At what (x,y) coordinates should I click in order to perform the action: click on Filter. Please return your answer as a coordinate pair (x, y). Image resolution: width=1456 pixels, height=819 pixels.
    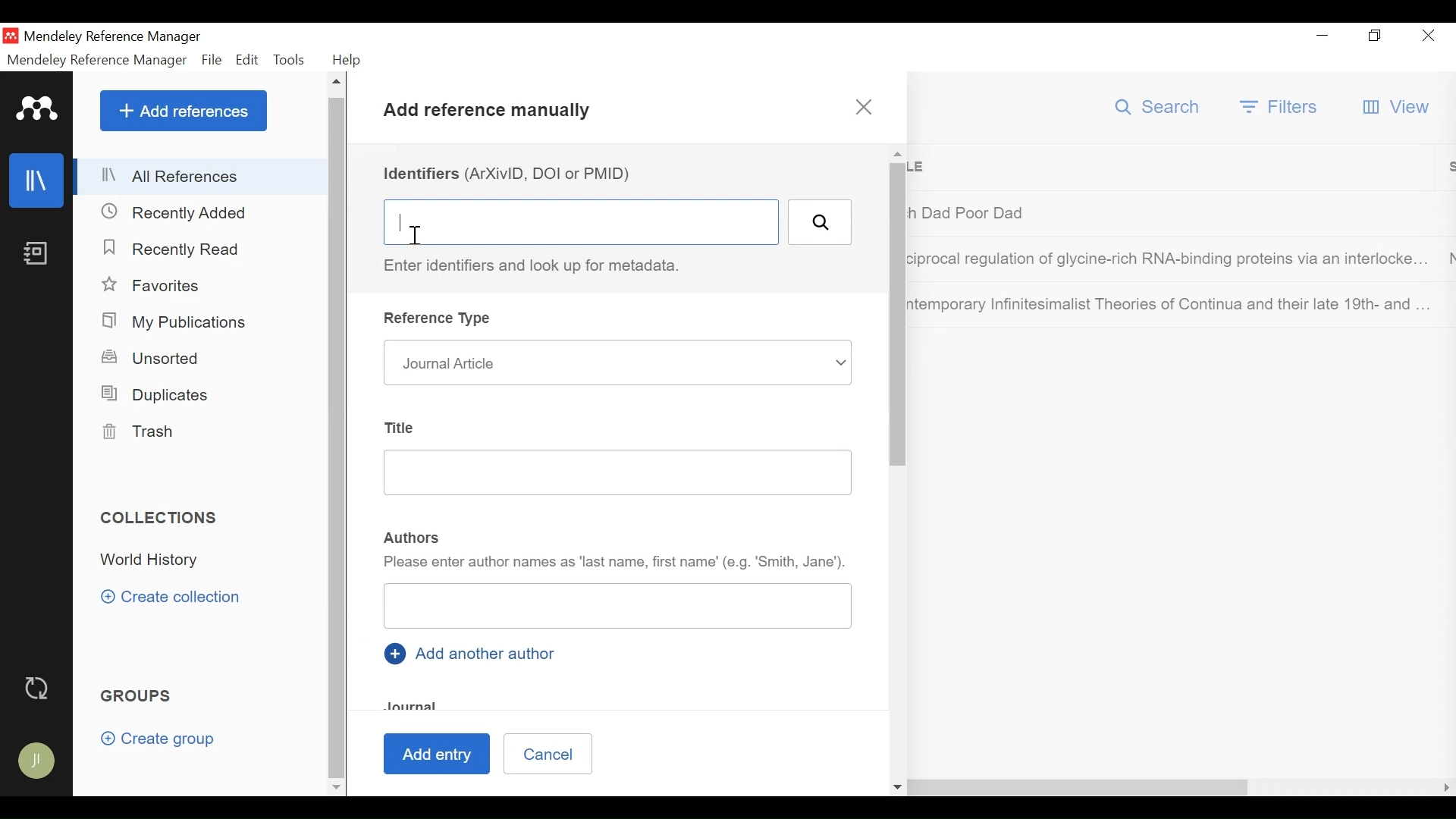
    Looking at the image, I should click on (1280, 108).